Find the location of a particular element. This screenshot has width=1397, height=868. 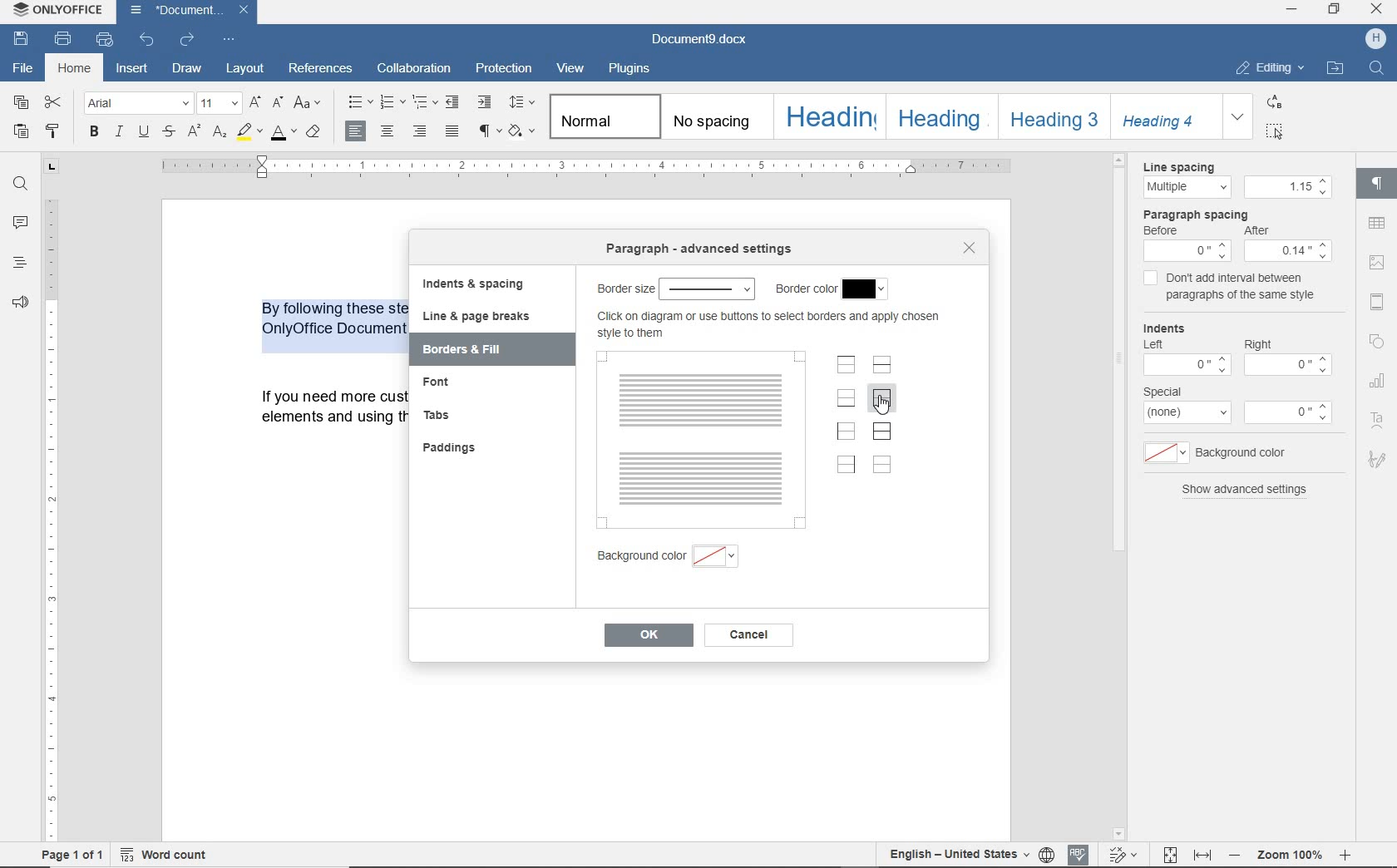

select is located at coordinates (718, 560).